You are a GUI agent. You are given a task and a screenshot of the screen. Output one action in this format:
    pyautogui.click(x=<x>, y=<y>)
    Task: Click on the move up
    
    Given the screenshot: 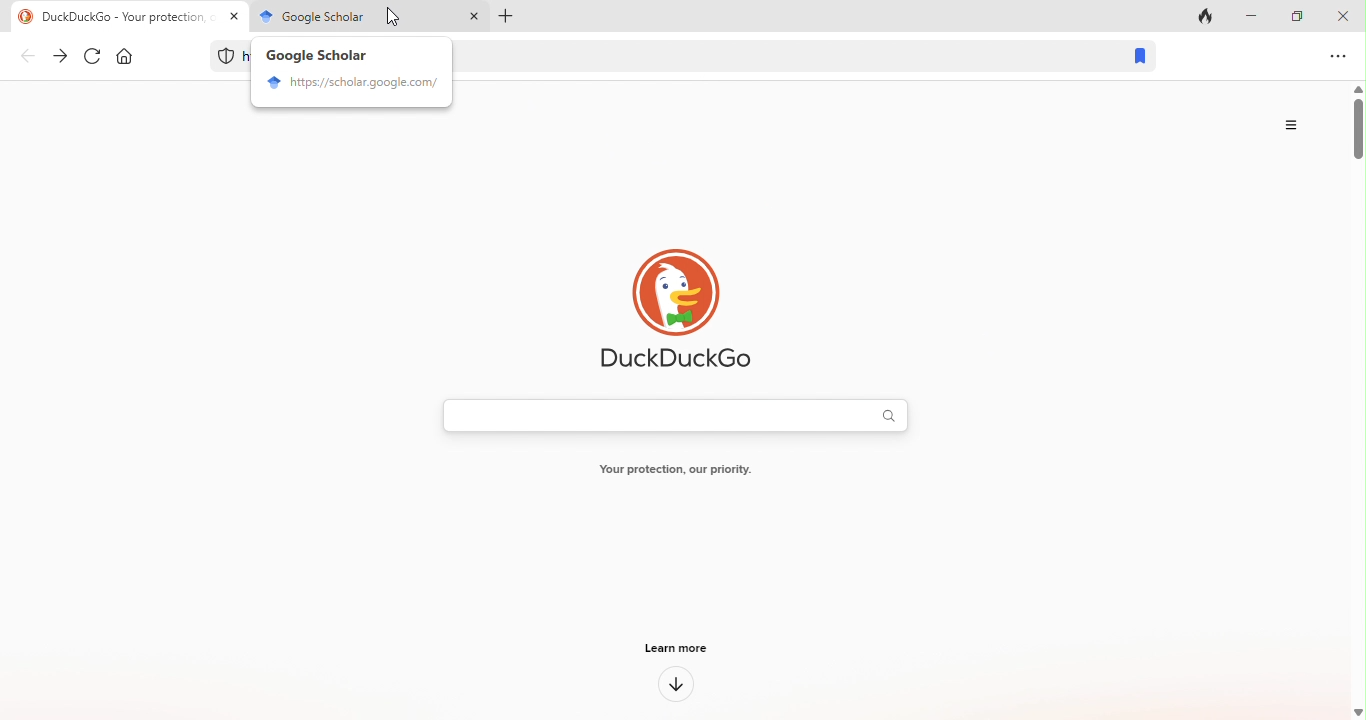 What is the action you would take?
    pyautogui.click(x=1357, y=87)
    